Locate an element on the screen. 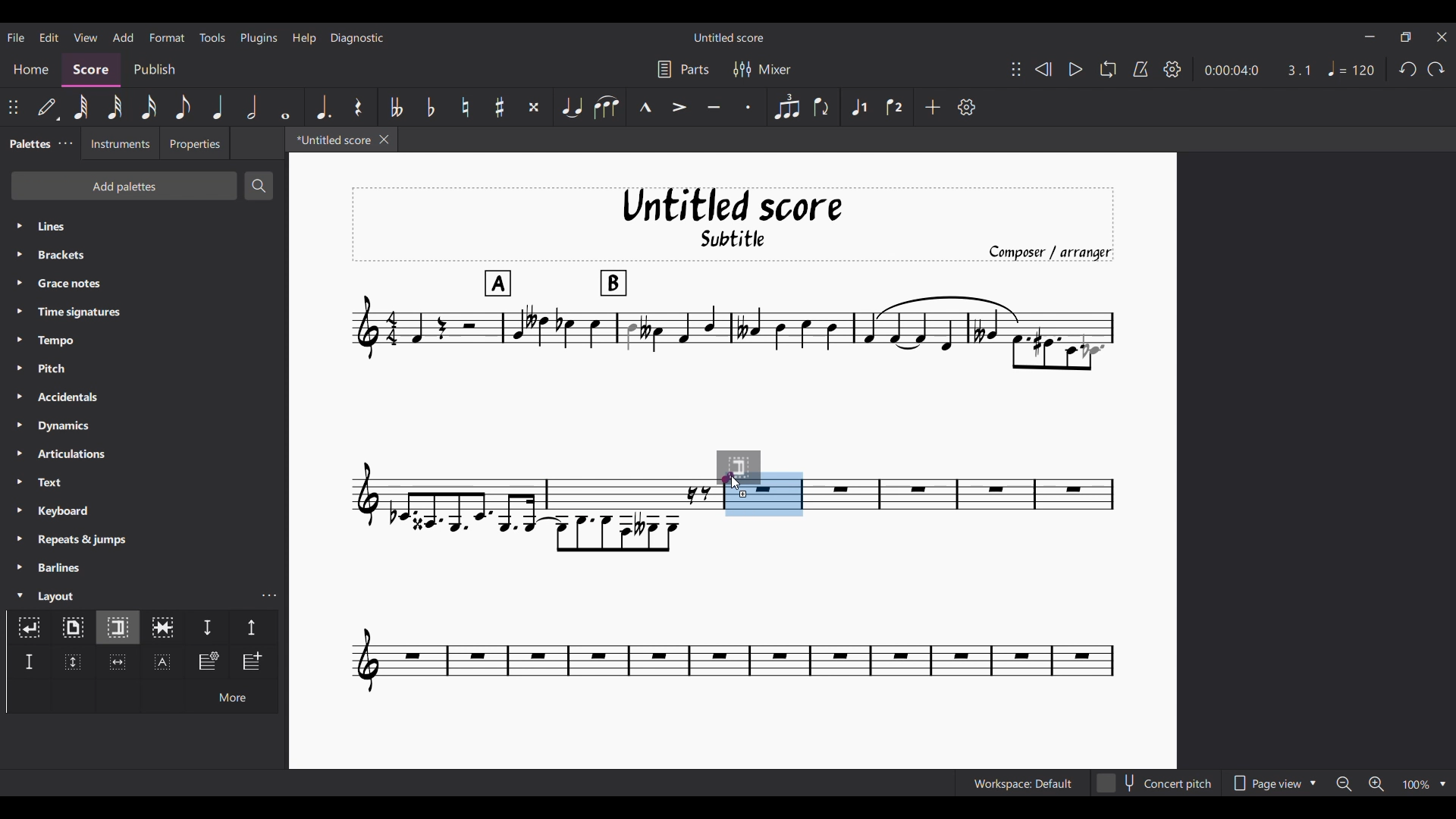 The image size is (1456, 819). Palette settings is located at coordinates (66, 143).